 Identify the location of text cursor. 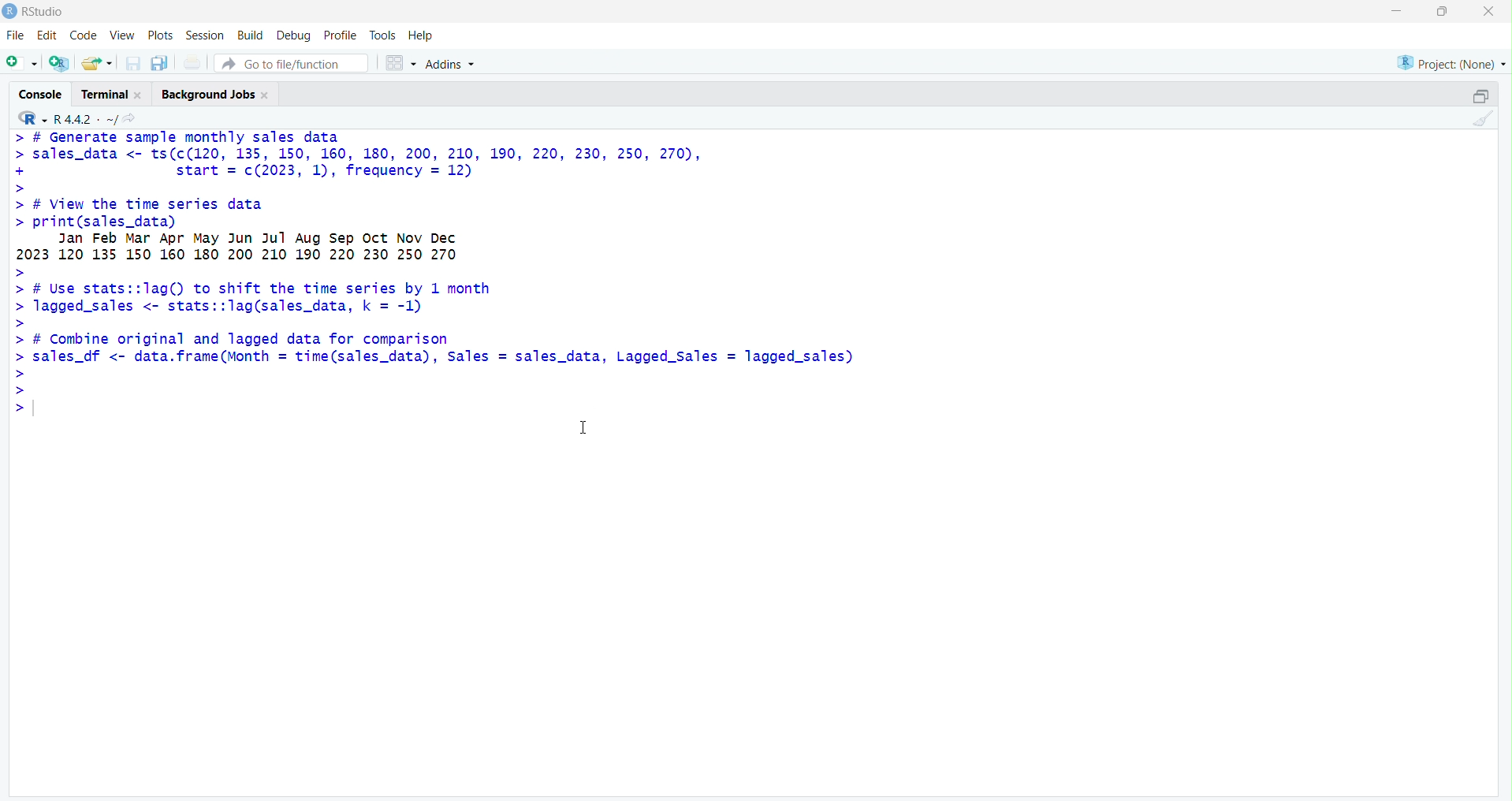
(35, 409).